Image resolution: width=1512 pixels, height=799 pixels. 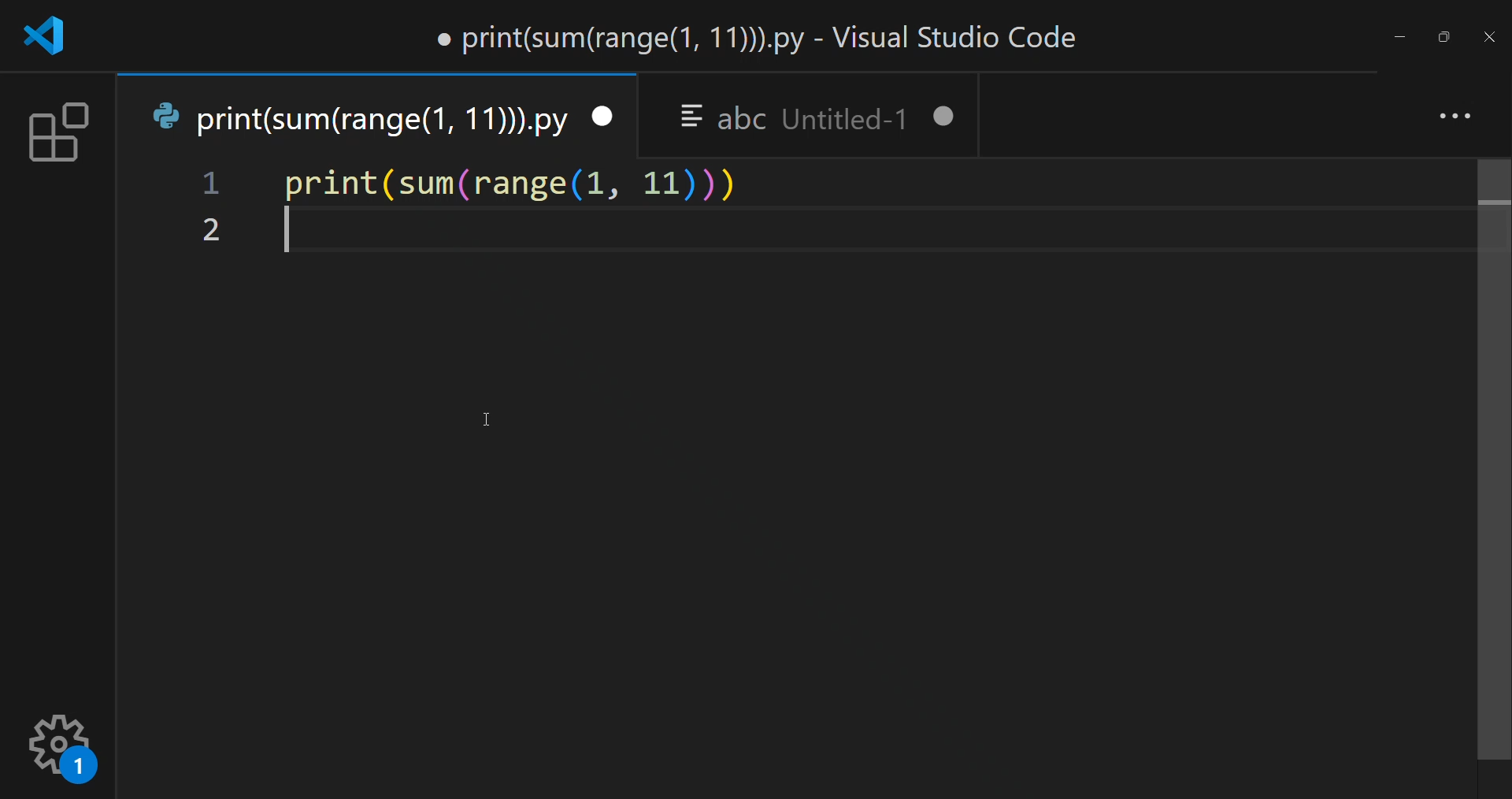 I want to click on print(sum(range(1, 11))).py - Visual Studio Code, so click(x=767, y=39).